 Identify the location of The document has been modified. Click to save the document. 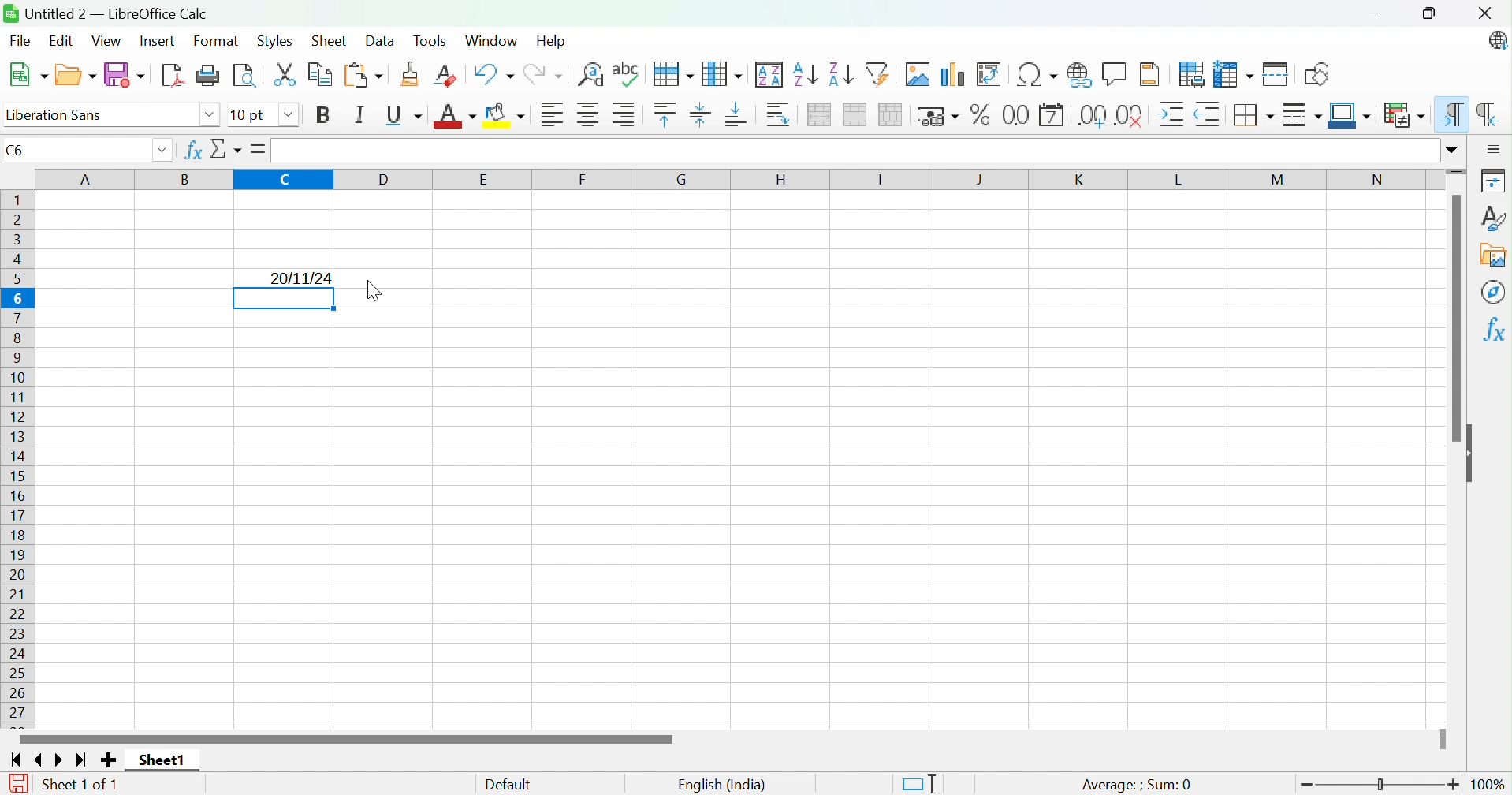
(13, 784).